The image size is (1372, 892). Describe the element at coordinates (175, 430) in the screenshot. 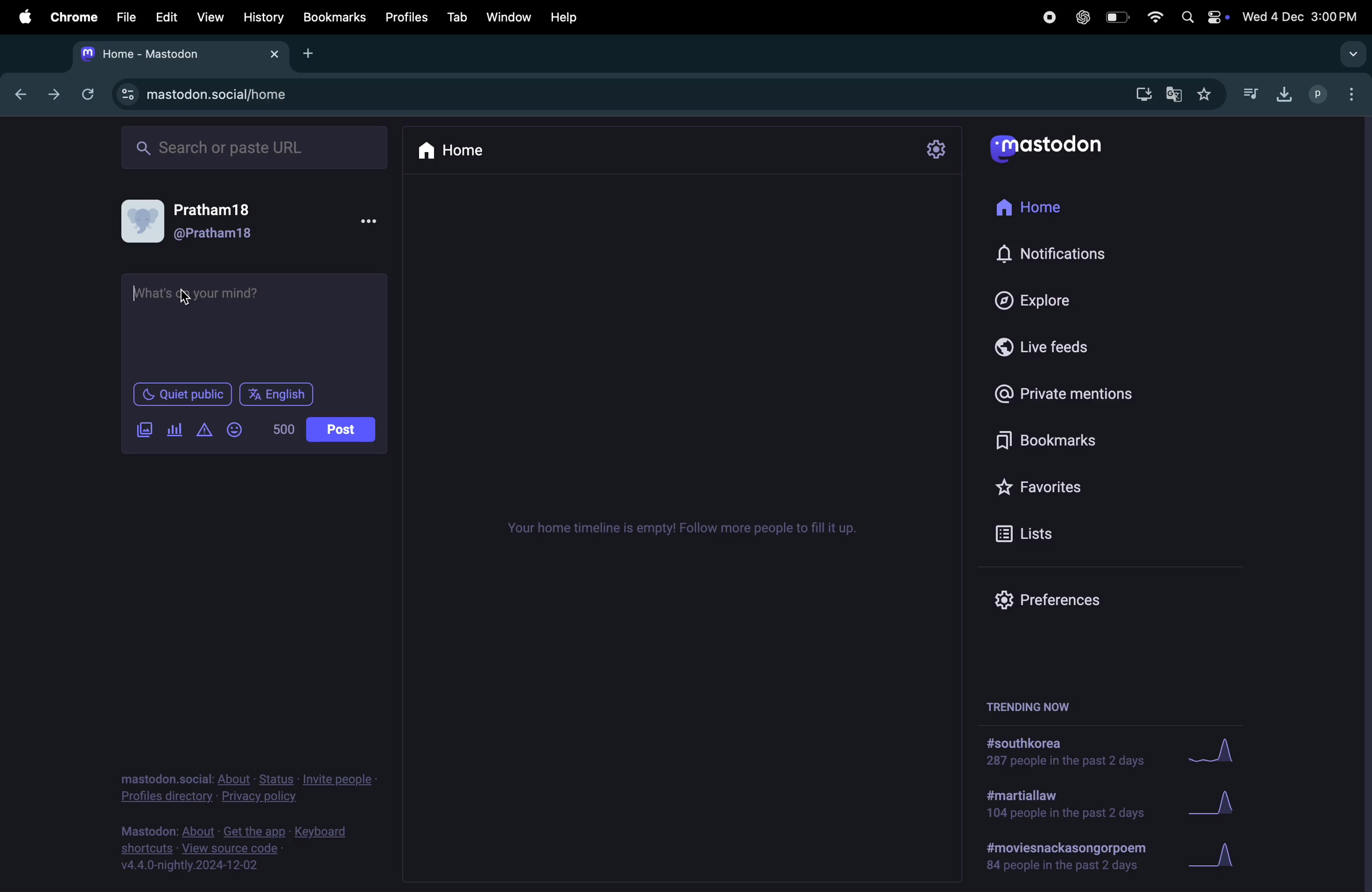

I see `poll` at that location.